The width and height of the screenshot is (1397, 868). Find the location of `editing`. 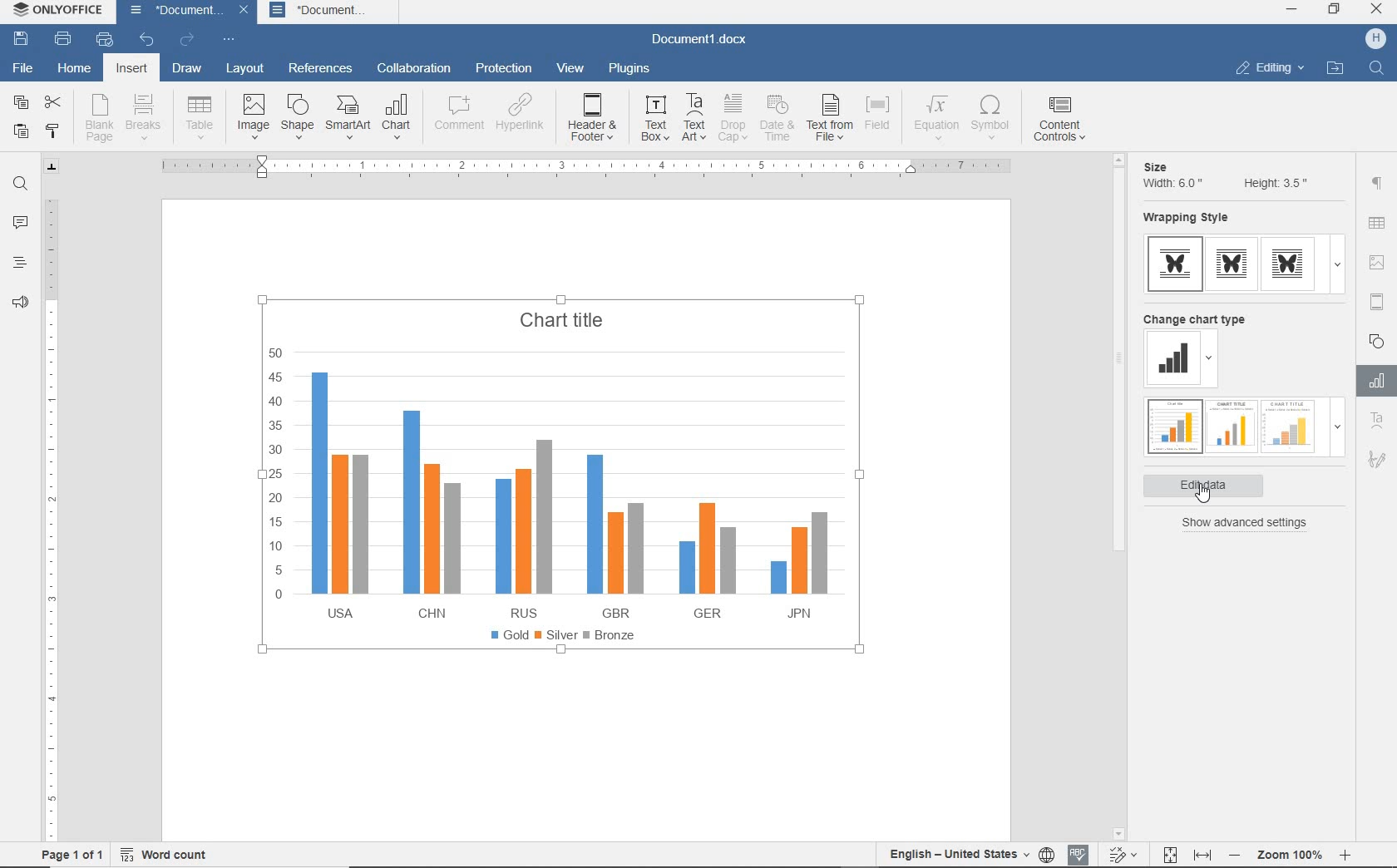

editing is located at coordinates (1269, 70).